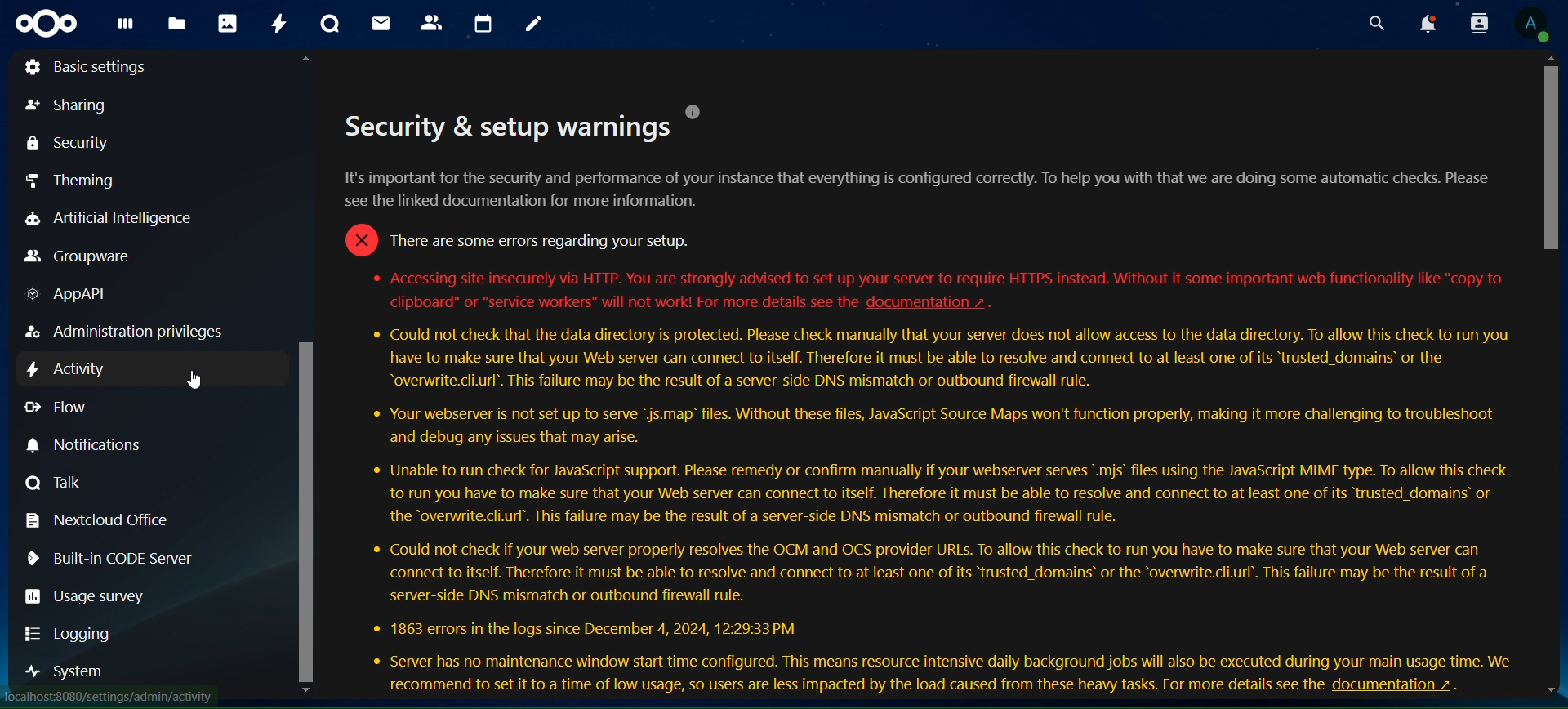  I want to click on talk, so click(330, 24).